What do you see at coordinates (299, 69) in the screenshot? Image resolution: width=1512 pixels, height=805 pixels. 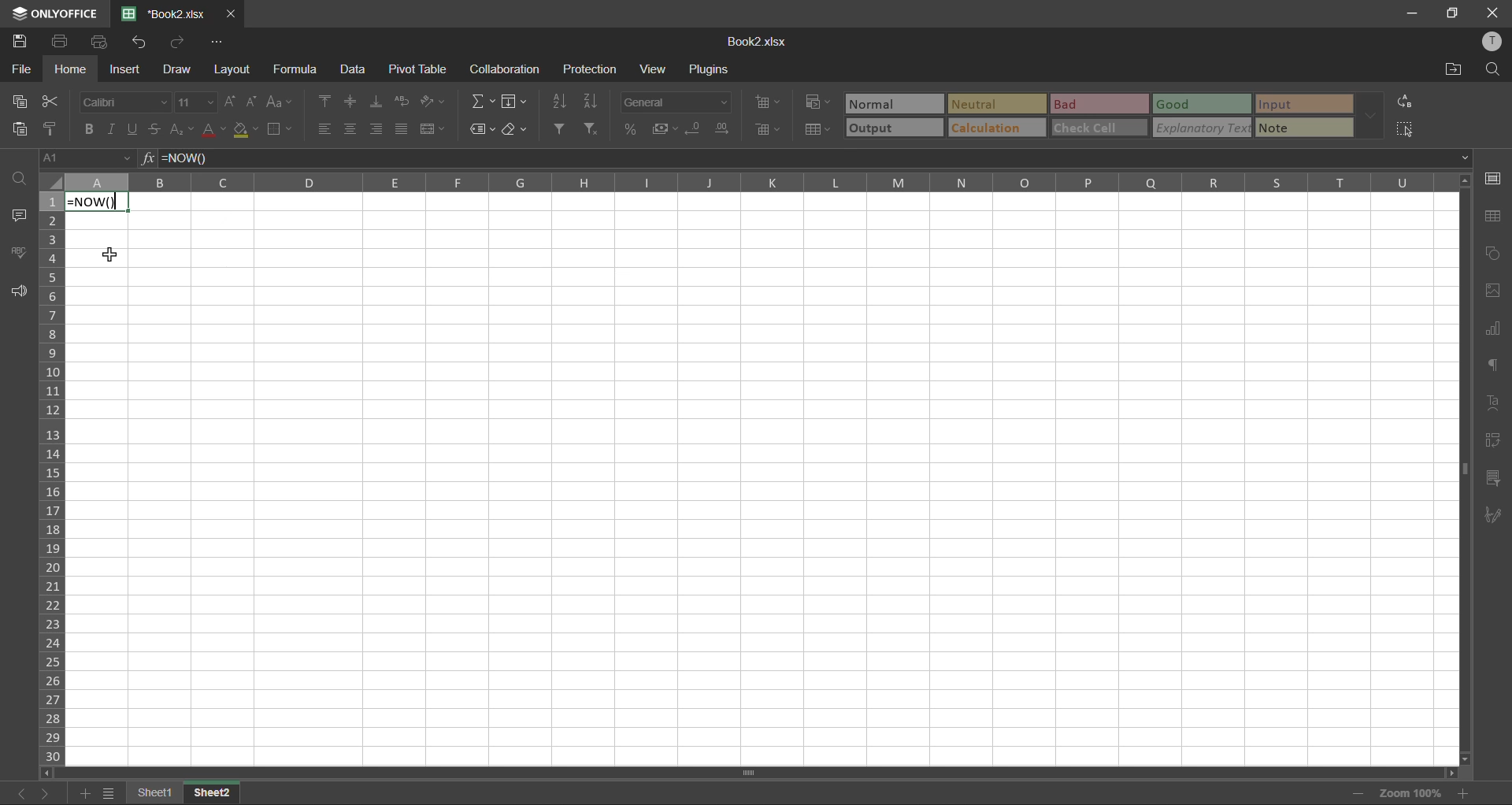 I see `formula` at bounding box center [299, 69].